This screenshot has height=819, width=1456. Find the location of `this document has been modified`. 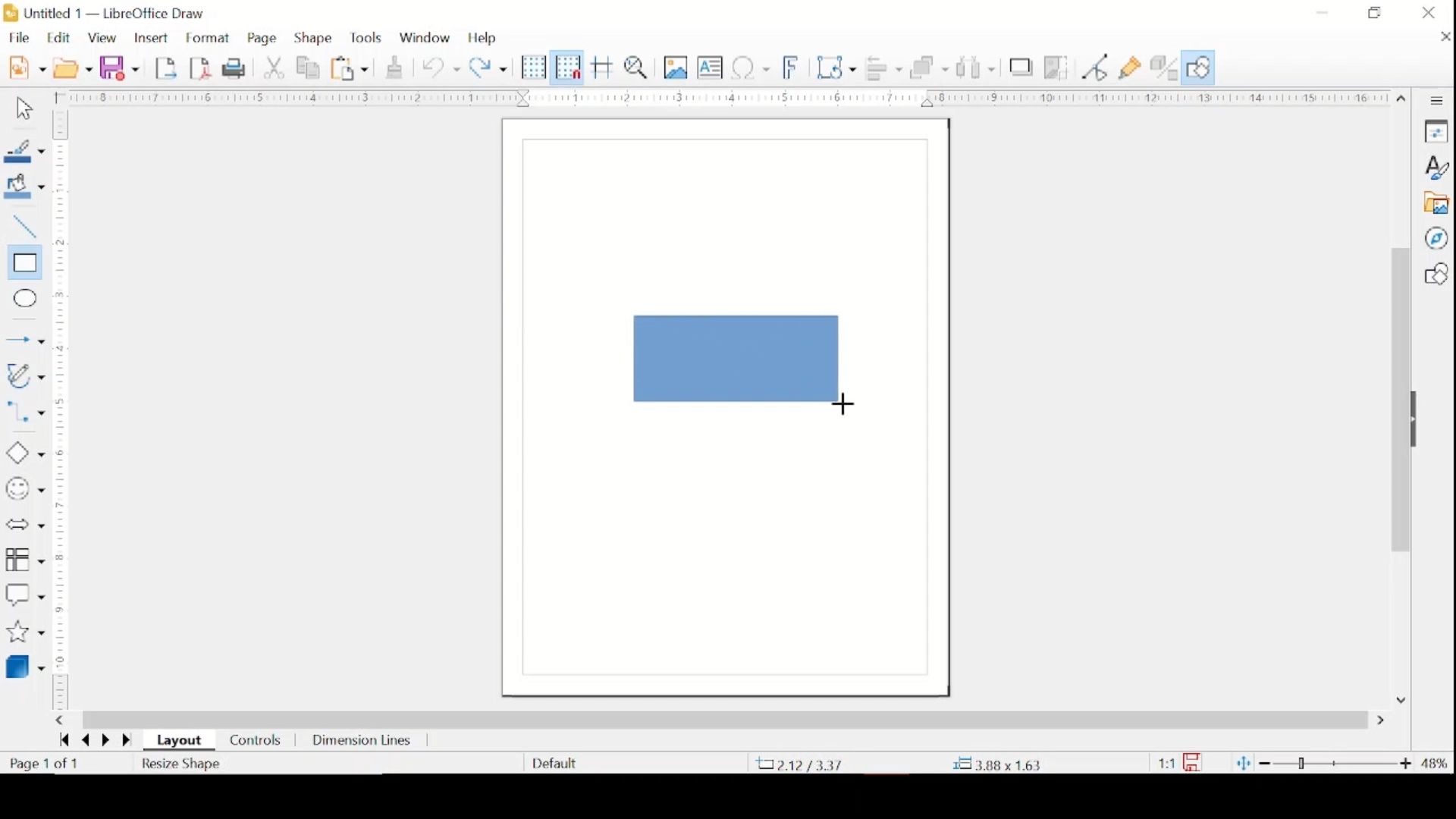

this document has been modified is located at coordinates (1180, 763).